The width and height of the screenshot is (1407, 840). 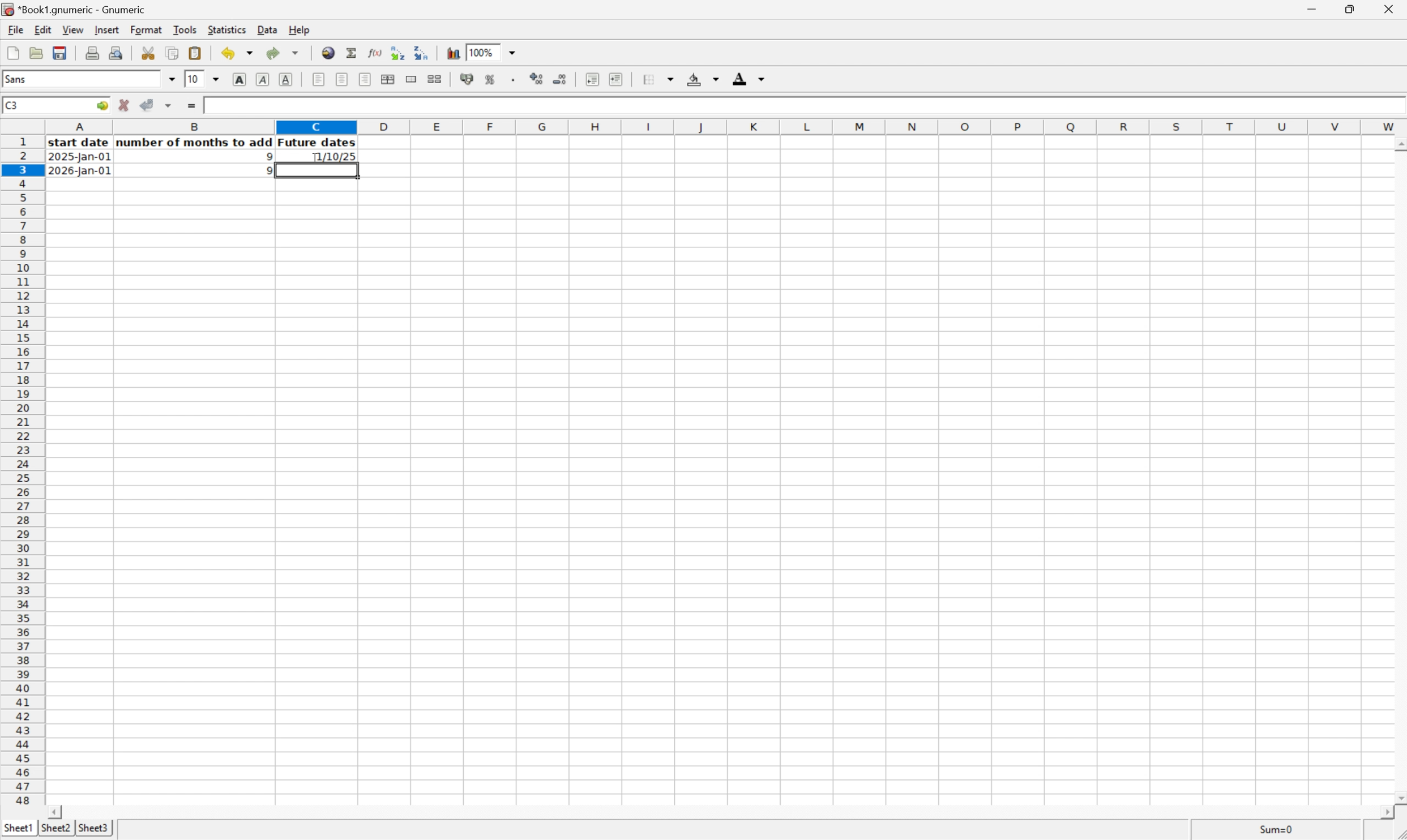 I want to click on Format, so click(x=147, y=30).